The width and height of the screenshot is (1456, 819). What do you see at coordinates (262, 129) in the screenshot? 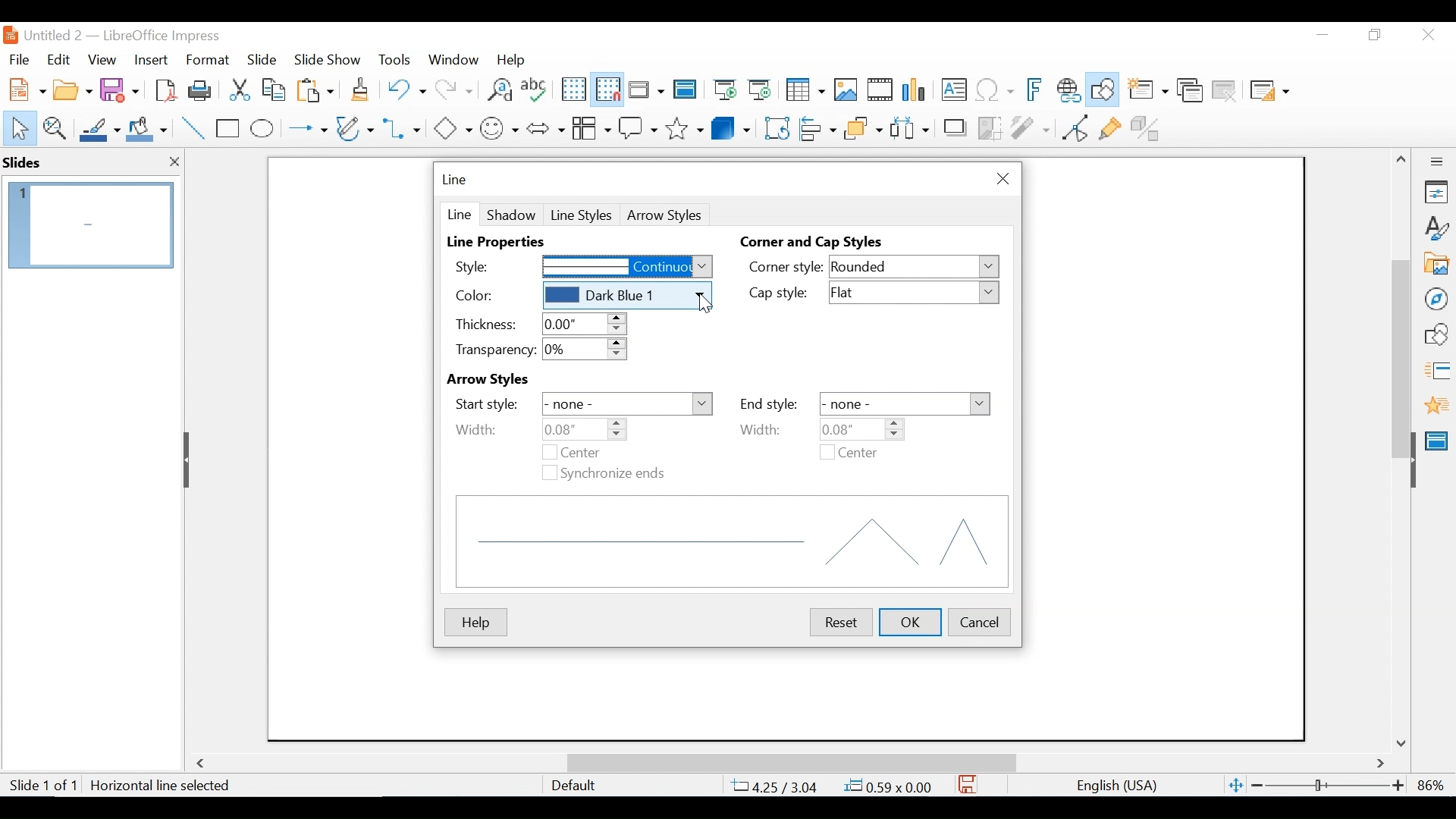
I see `Ellipse` at bounding box center [262, 129].